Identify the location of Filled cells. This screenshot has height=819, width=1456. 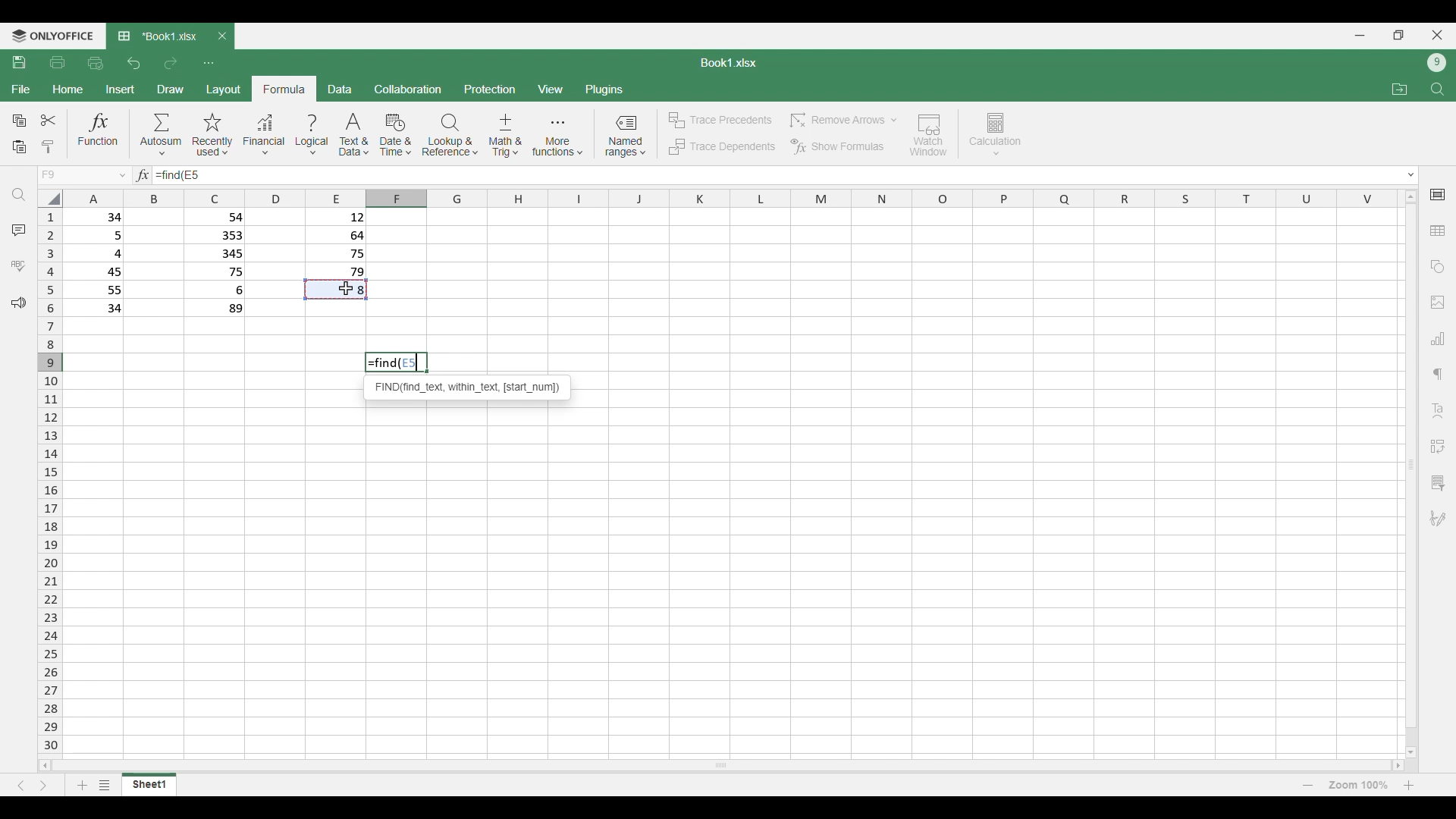
(218, 263).